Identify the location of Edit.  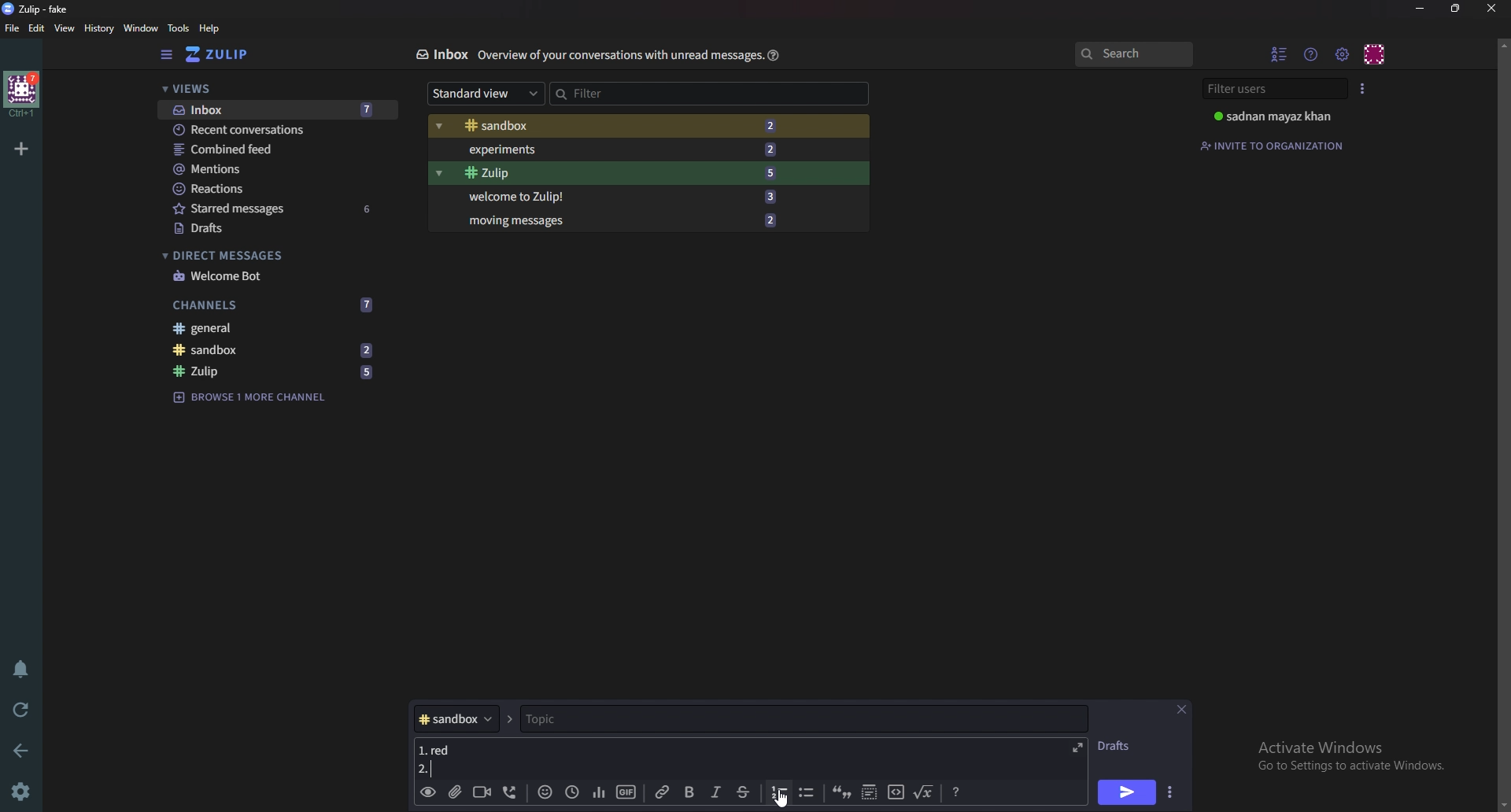
(38, 28).